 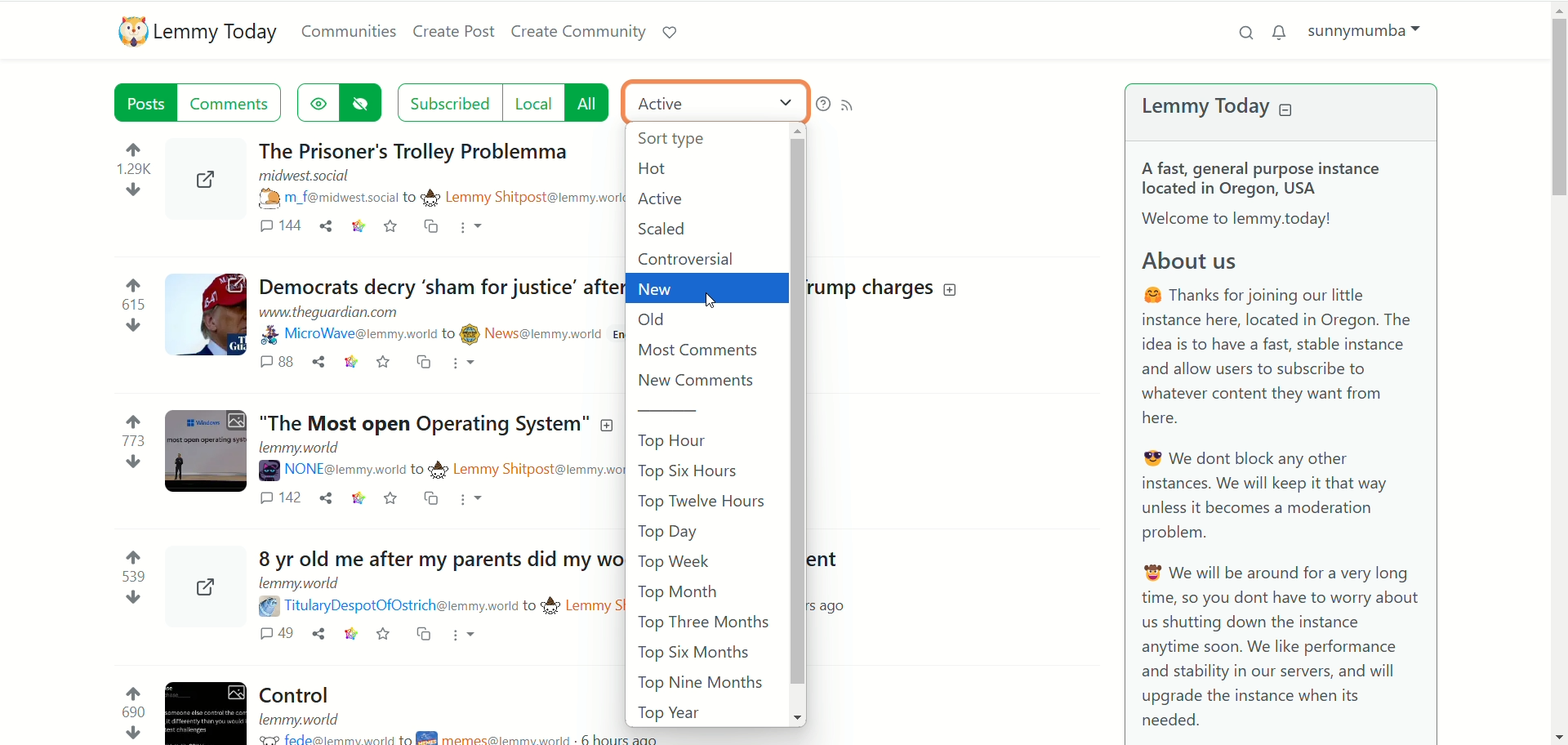 I want to click on favorite, so click(x=382, y=366).